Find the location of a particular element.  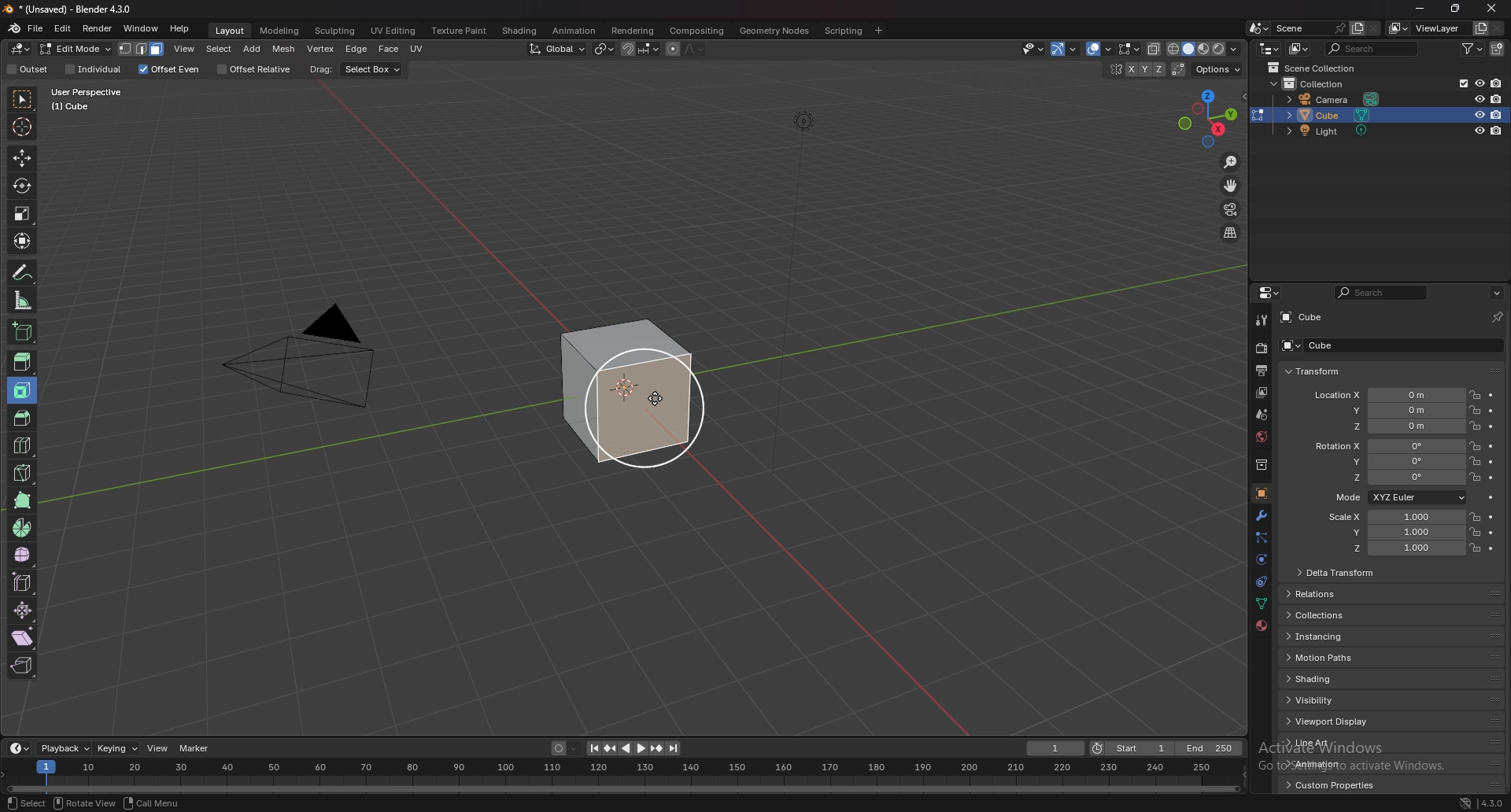

select is located at coordinates (27, 803).